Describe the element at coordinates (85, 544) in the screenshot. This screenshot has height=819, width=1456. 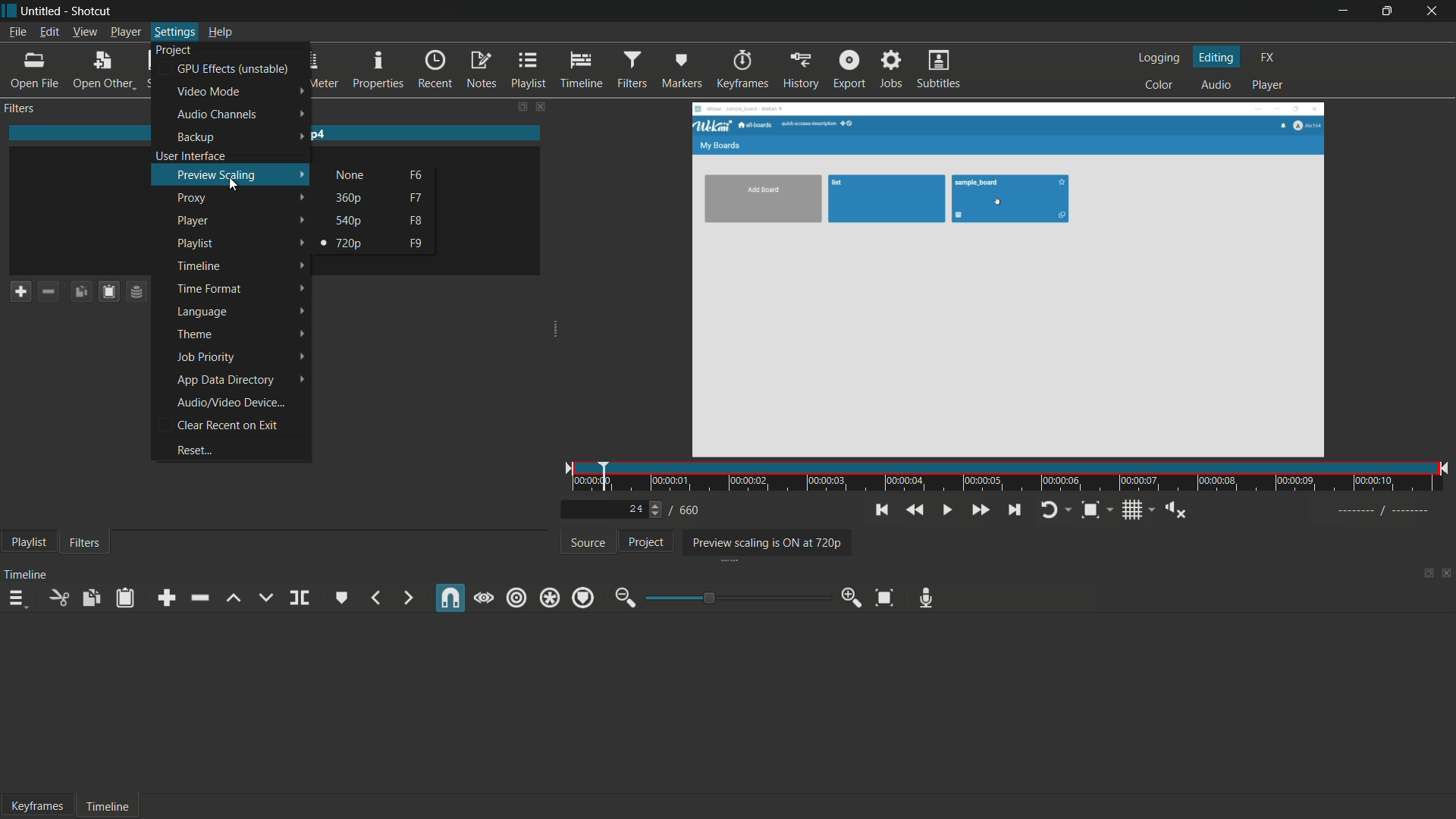
I see `filters` at that location.